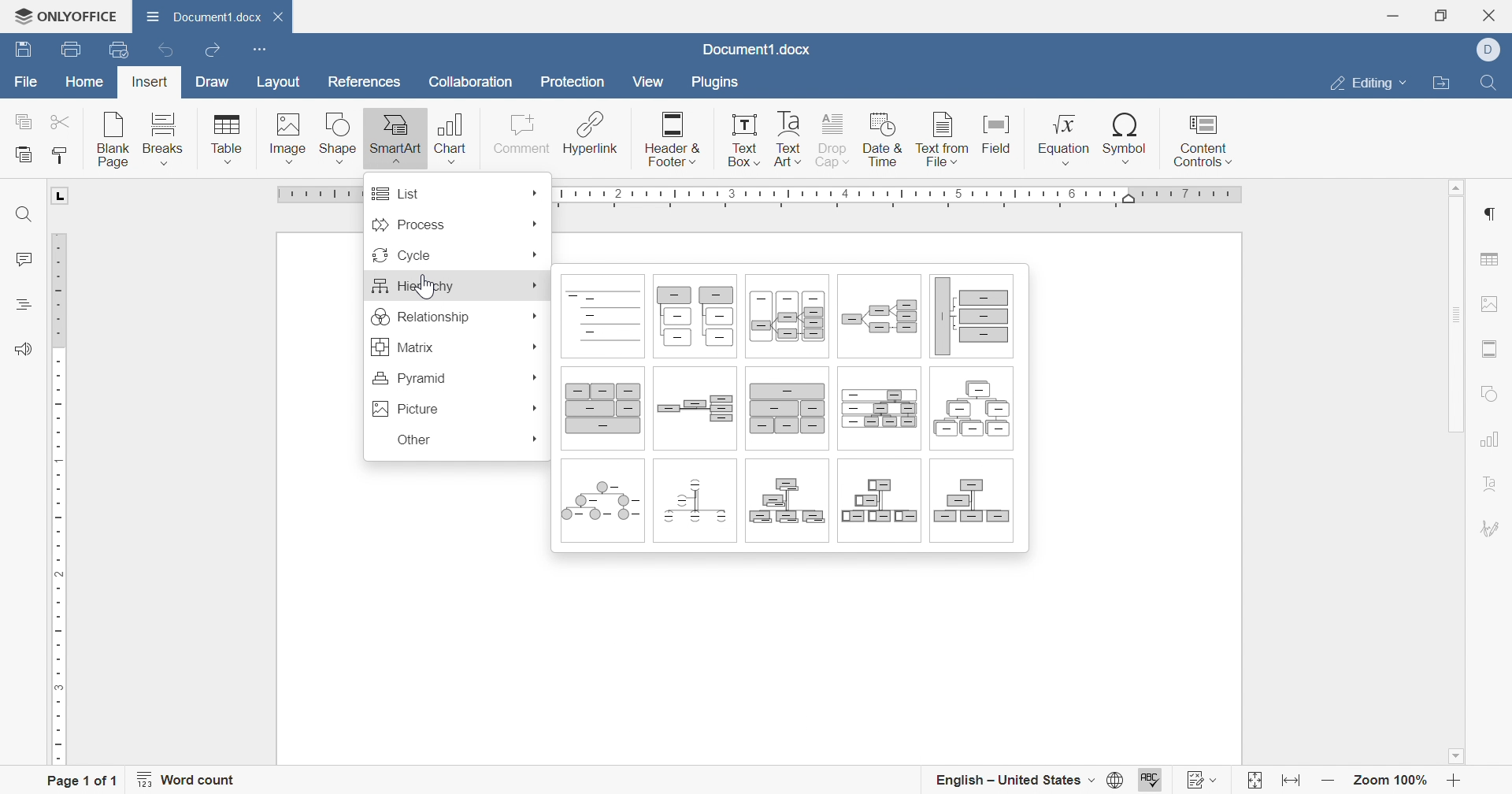 The height and width of the screenshot is (794, 1512). Describe the element at coordinates (604, 317) in the screenshot. I see `Lined list` at that location.